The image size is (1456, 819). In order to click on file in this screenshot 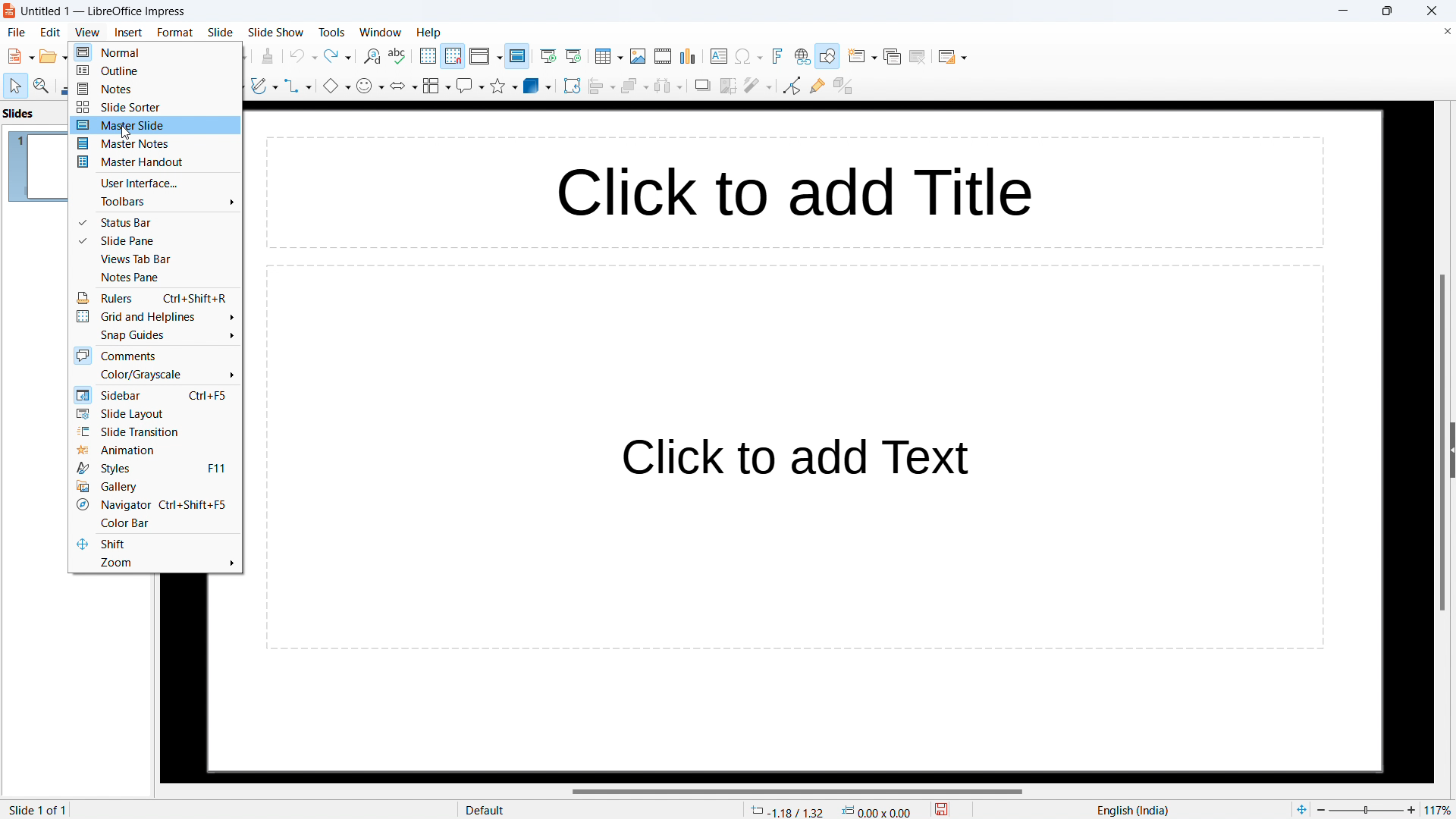, I will do `click(17, 33)`.